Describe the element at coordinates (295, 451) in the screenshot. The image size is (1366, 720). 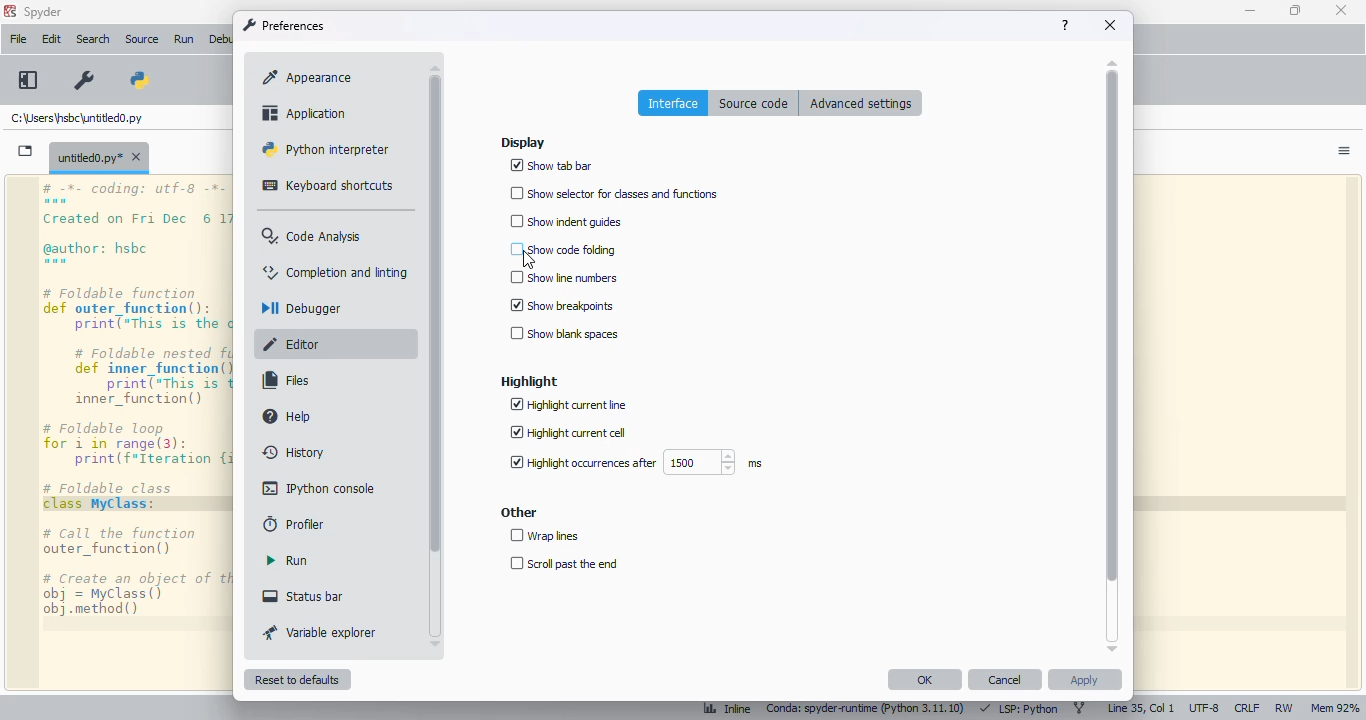
I see `history` at that location.